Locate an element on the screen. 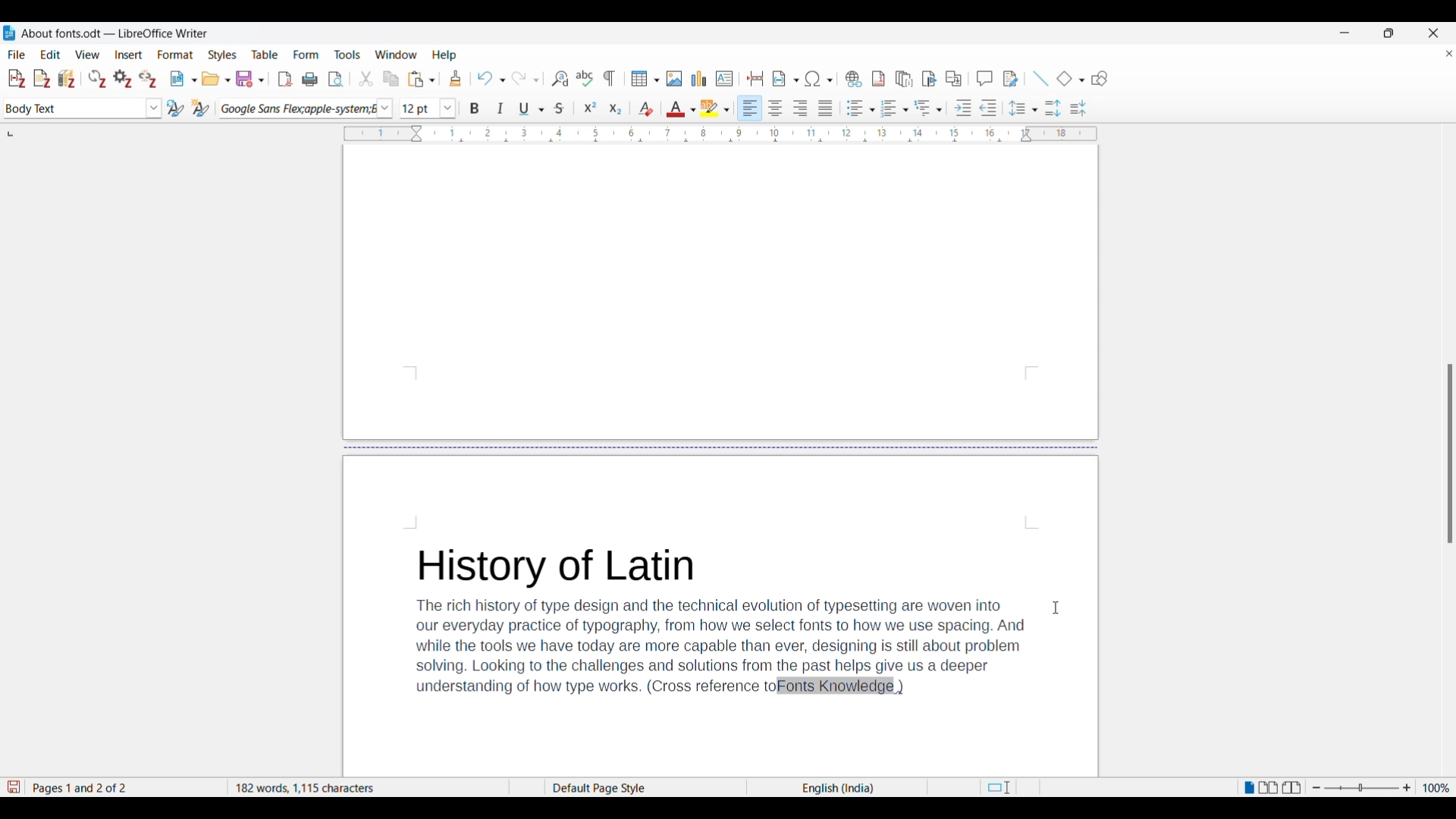 This screenshot has height=819, width=1456. Align right is located at coordinates (800, 108).